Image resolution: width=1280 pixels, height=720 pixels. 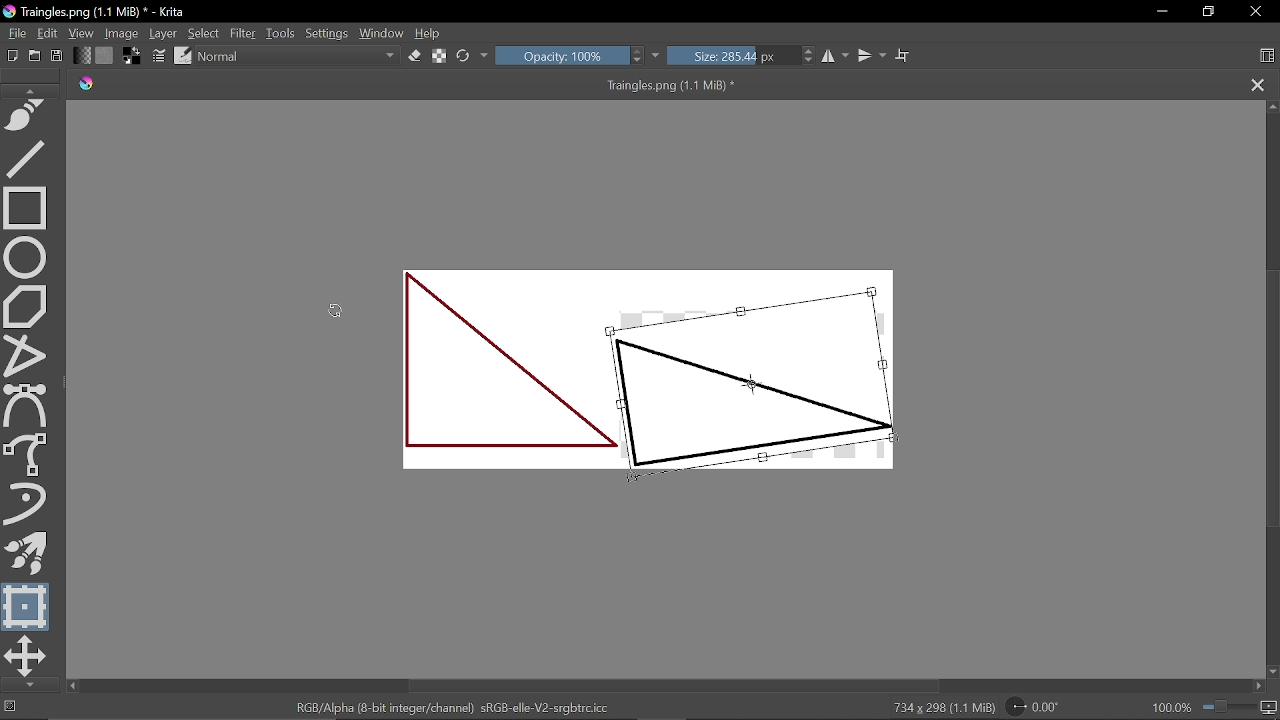 What do you see at coordinates (72, 686) in the screenshot?
I see `Move left` at bounding box center [72, 686].